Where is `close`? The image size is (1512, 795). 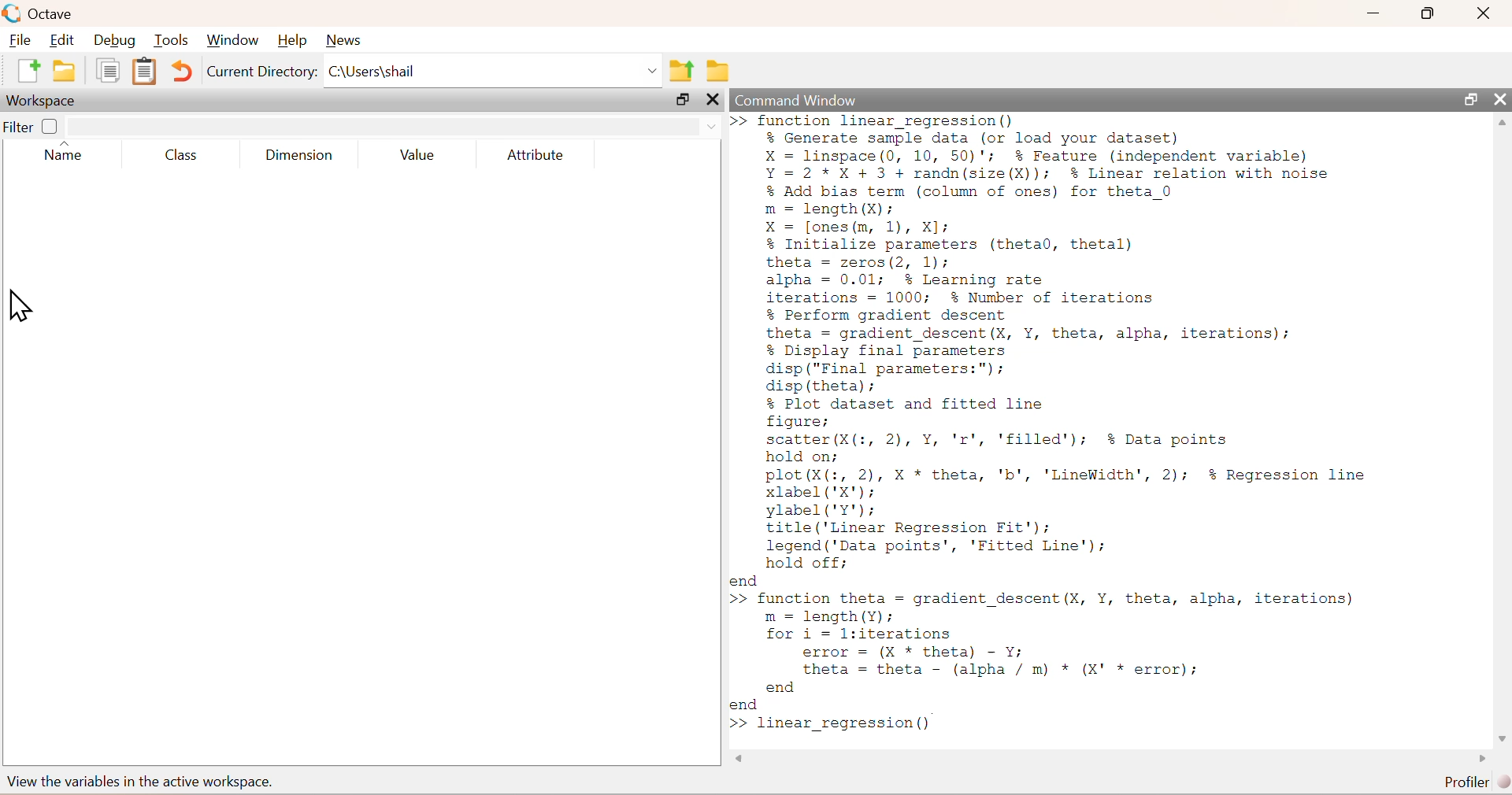 close is located at coordinates (1482, 13).